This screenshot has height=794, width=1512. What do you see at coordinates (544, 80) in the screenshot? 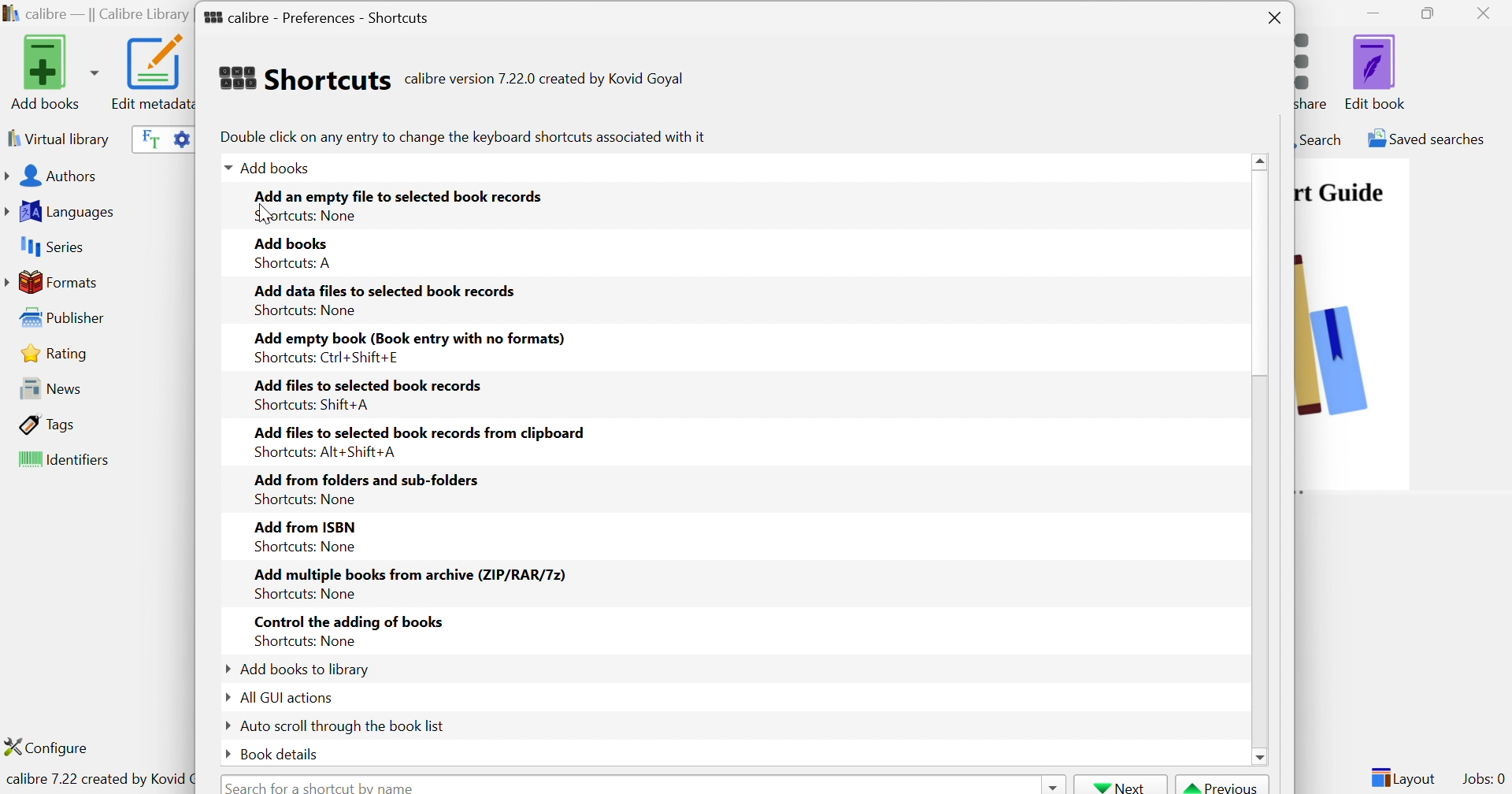
I see `calibre version 7.22.0 created by Kovid Goyal` at bounding box center [544, 80].